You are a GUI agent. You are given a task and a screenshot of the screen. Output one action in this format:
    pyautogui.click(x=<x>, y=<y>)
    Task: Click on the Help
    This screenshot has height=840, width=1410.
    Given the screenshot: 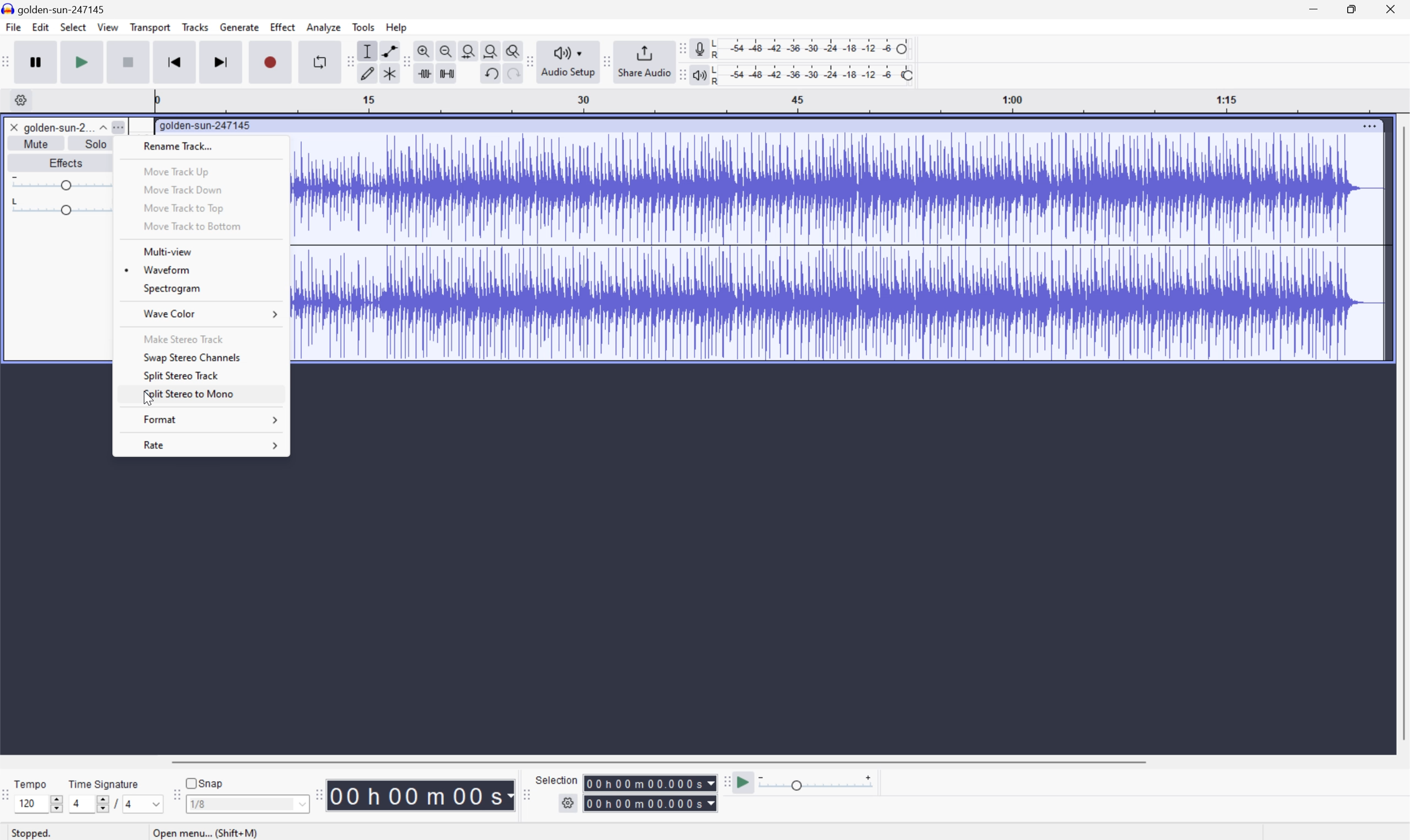 What is the action you would take?
    pyautogui.click(x=398, y=27)
    